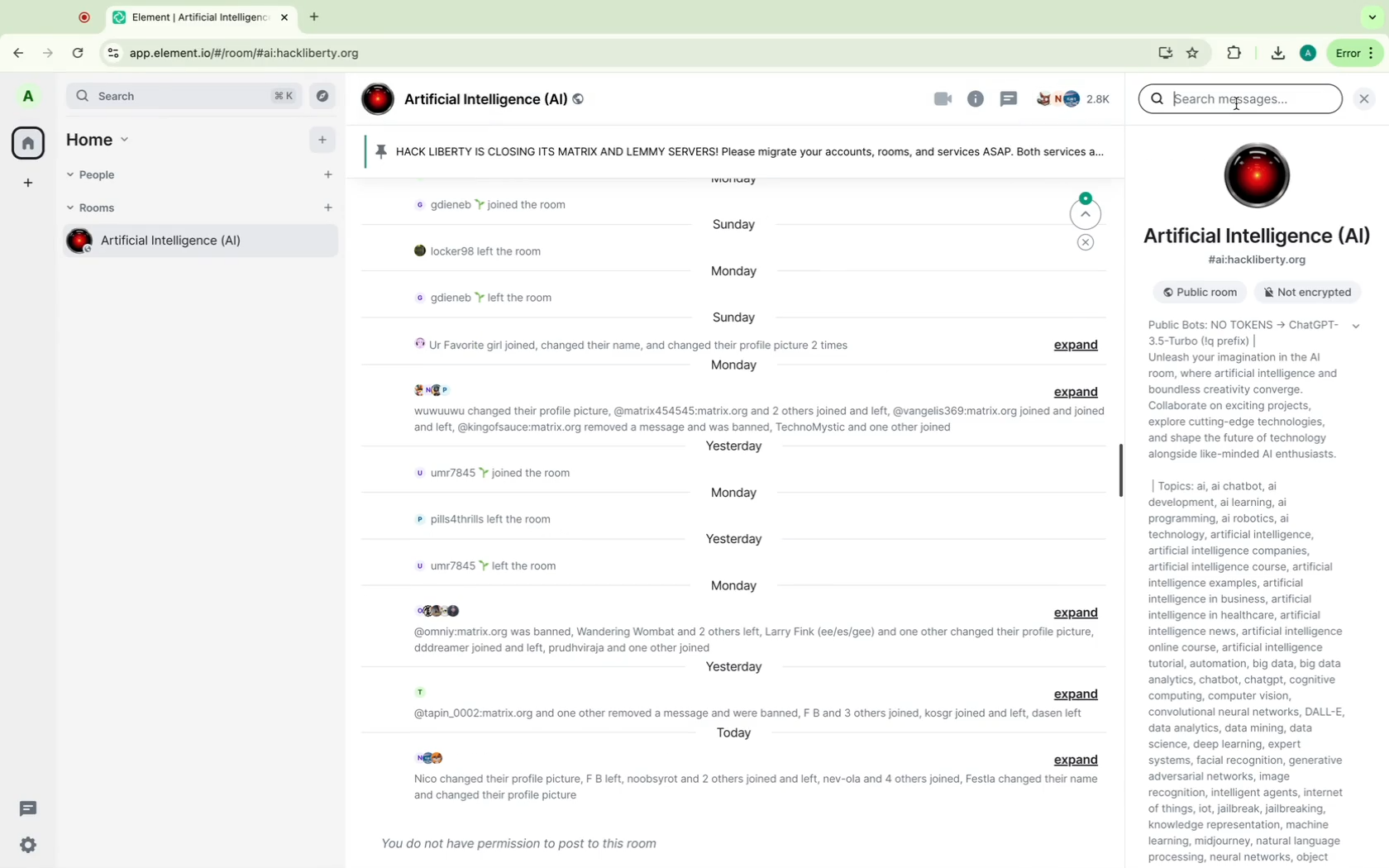 The width and height of the screenshot is (1389, 868). Describe the element at coordinates (753, 639) in the screenshot. I see `message` at that location.